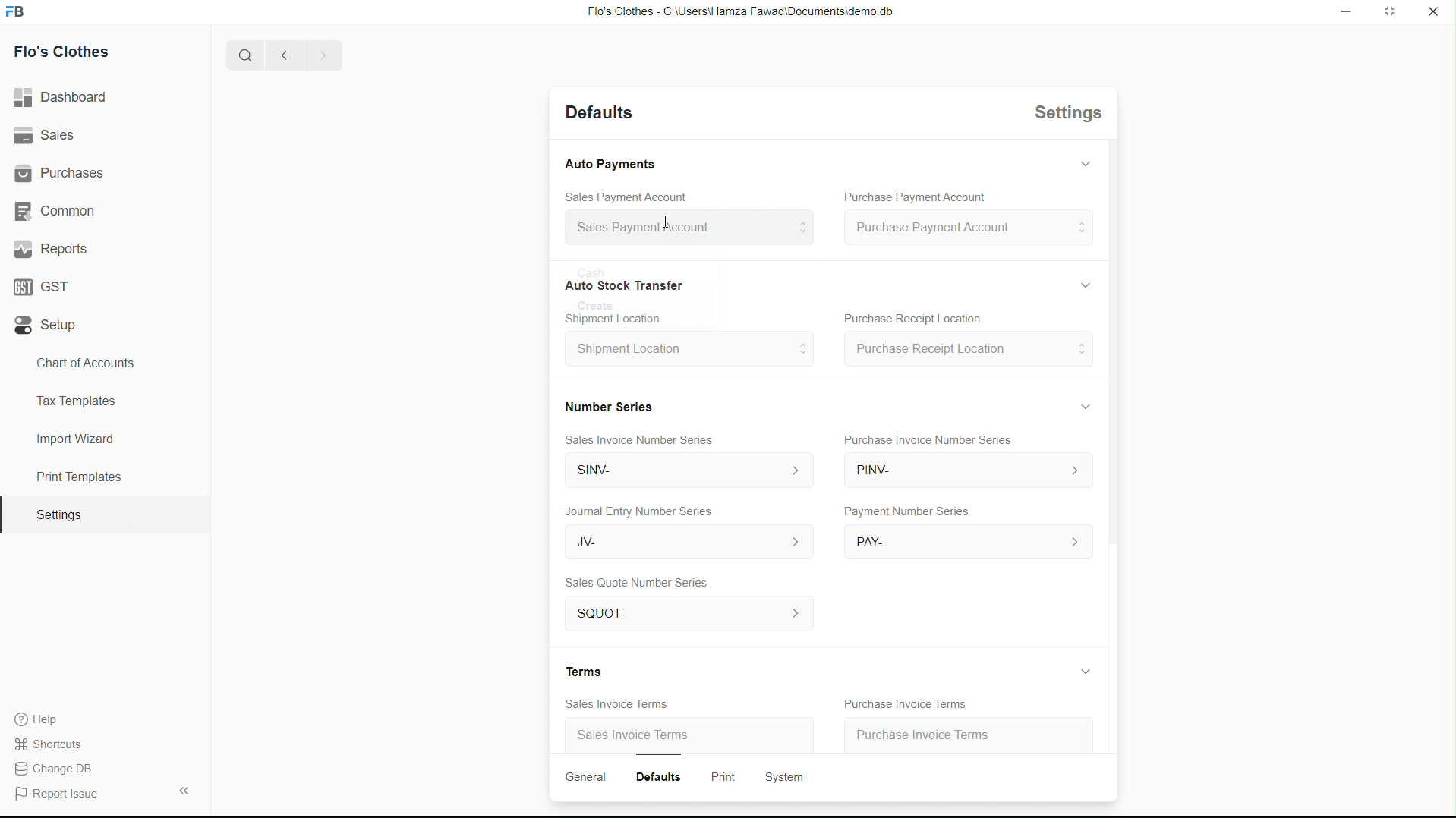 Image resolution: width=1456 pixels, height=818 pixels. Describe the element at coordinates (641, 584) in the screenshot. I see `Sales Quote Number Series` at that location.